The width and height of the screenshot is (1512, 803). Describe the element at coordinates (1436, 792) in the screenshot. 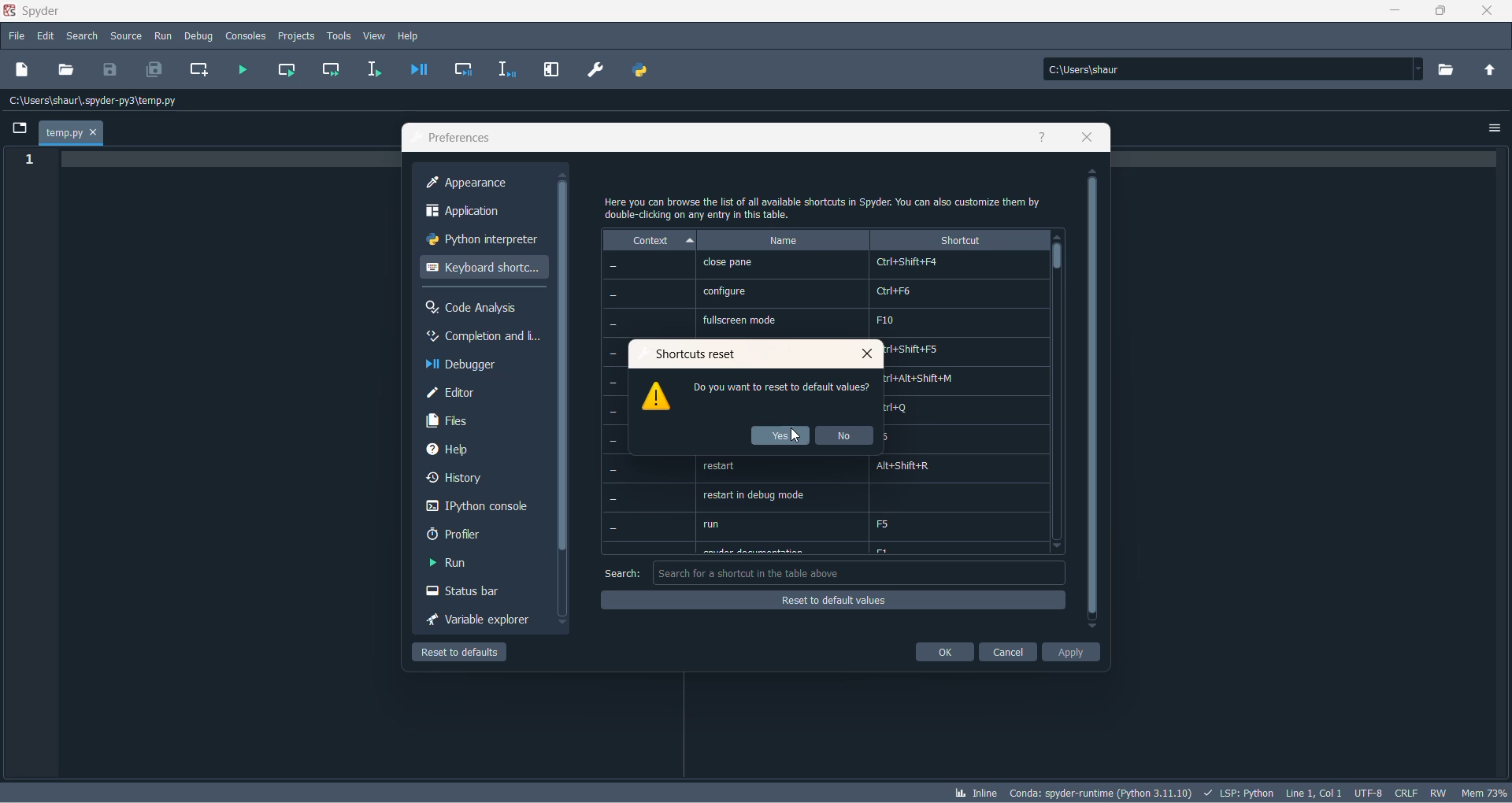

I see `file control` at that location.